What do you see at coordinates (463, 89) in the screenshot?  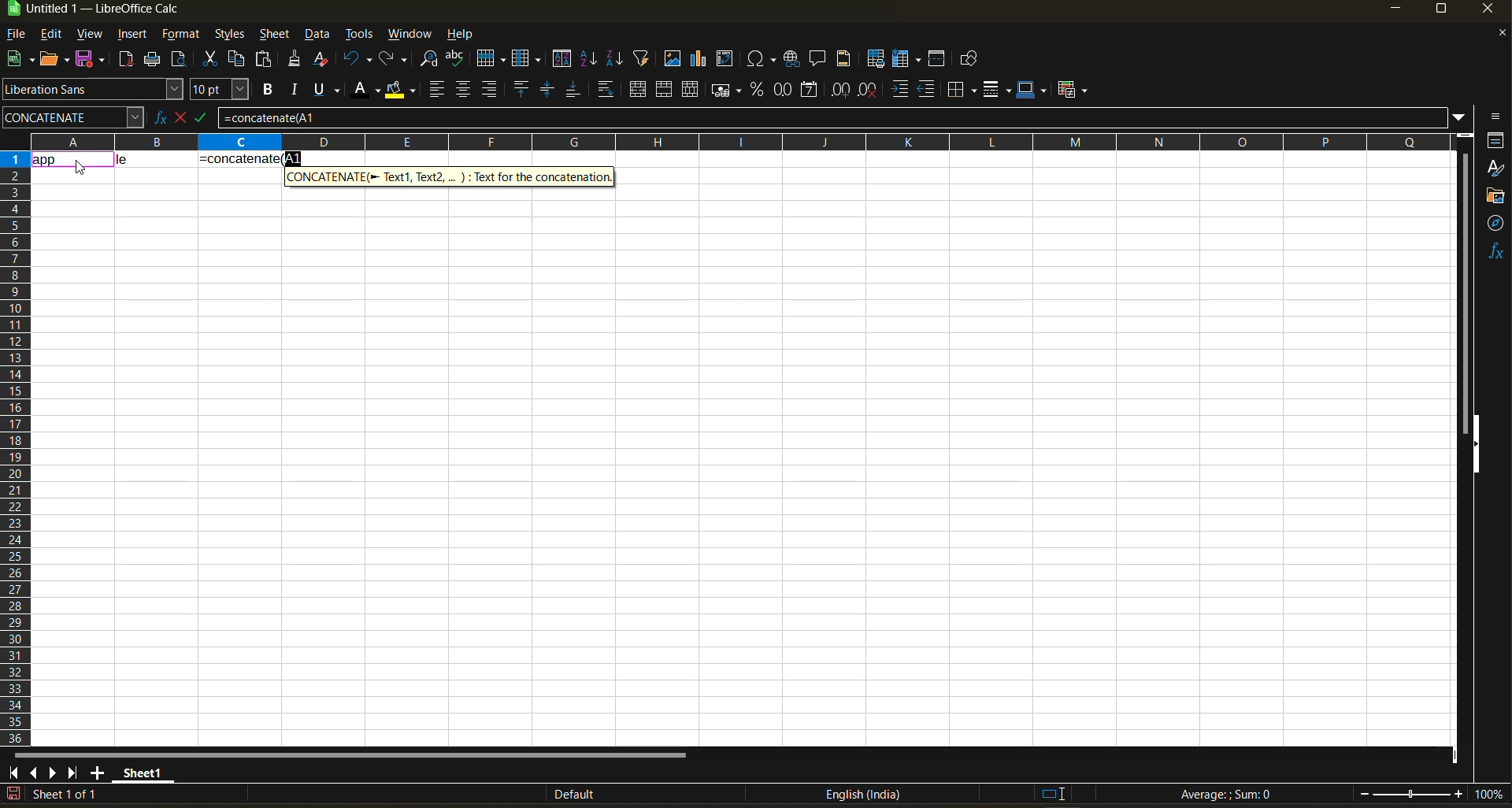 I see `align center` at bounding box center [463, 89].